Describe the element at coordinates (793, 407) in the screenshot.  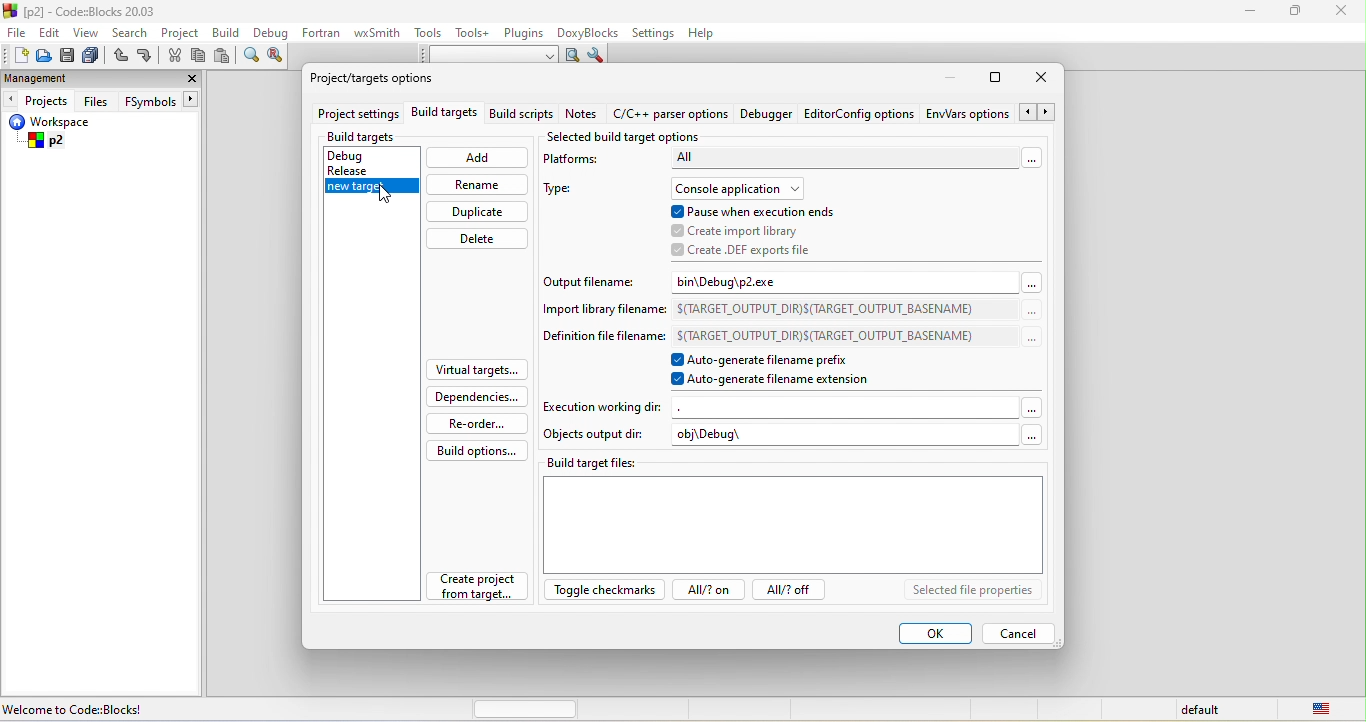
I see `execution working dir` at that location.